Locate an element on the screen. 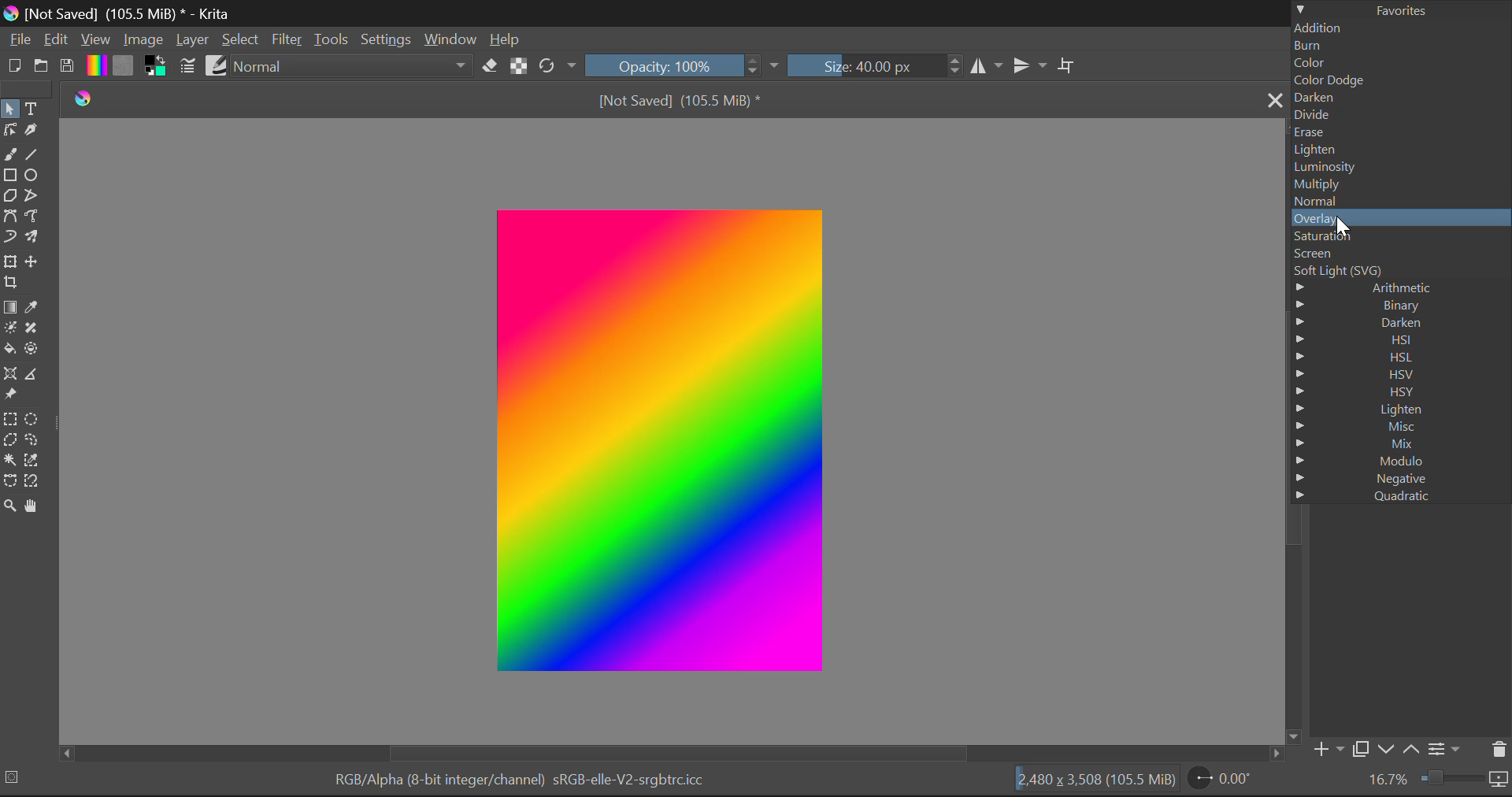 The image size is (1512, 797). Color is located at coordinates (1399, 63).